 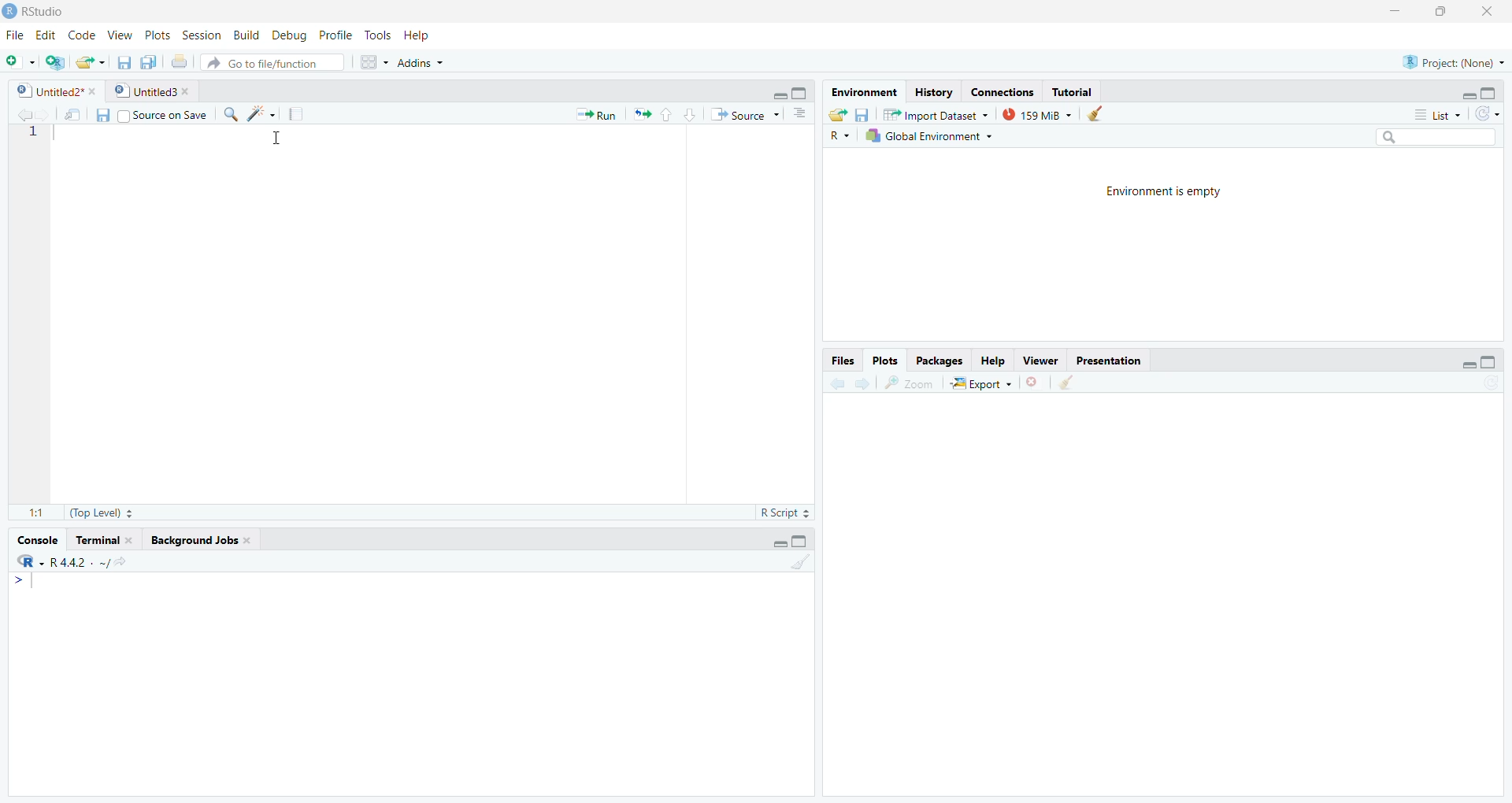 What do you see at coordinates (1397, 9) in the screenshot?
I see `Minimize` at bounding box center [1397, 9].